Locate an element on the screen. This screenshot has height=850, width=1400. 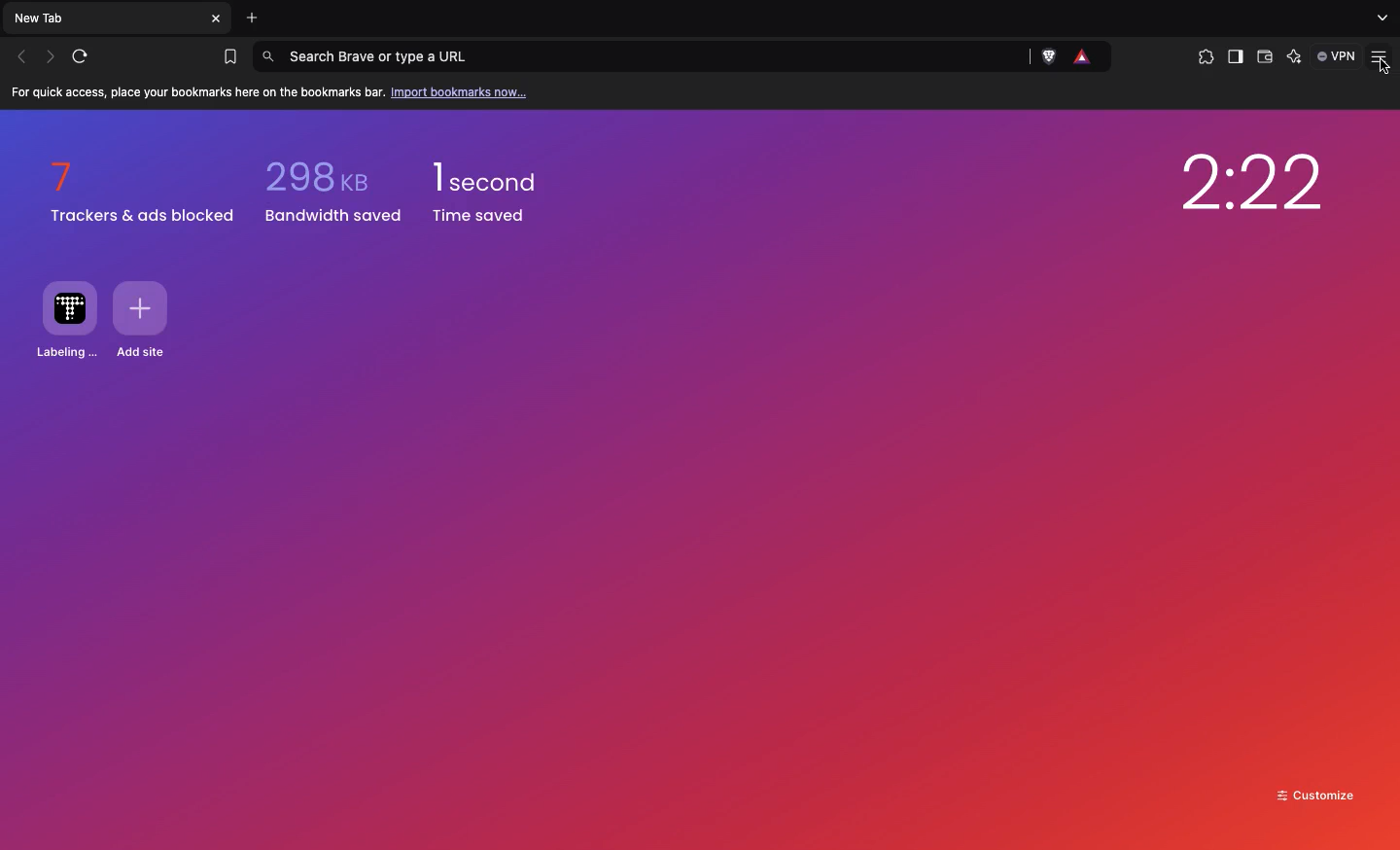
search tabs is located at coordinates (1381, 18).